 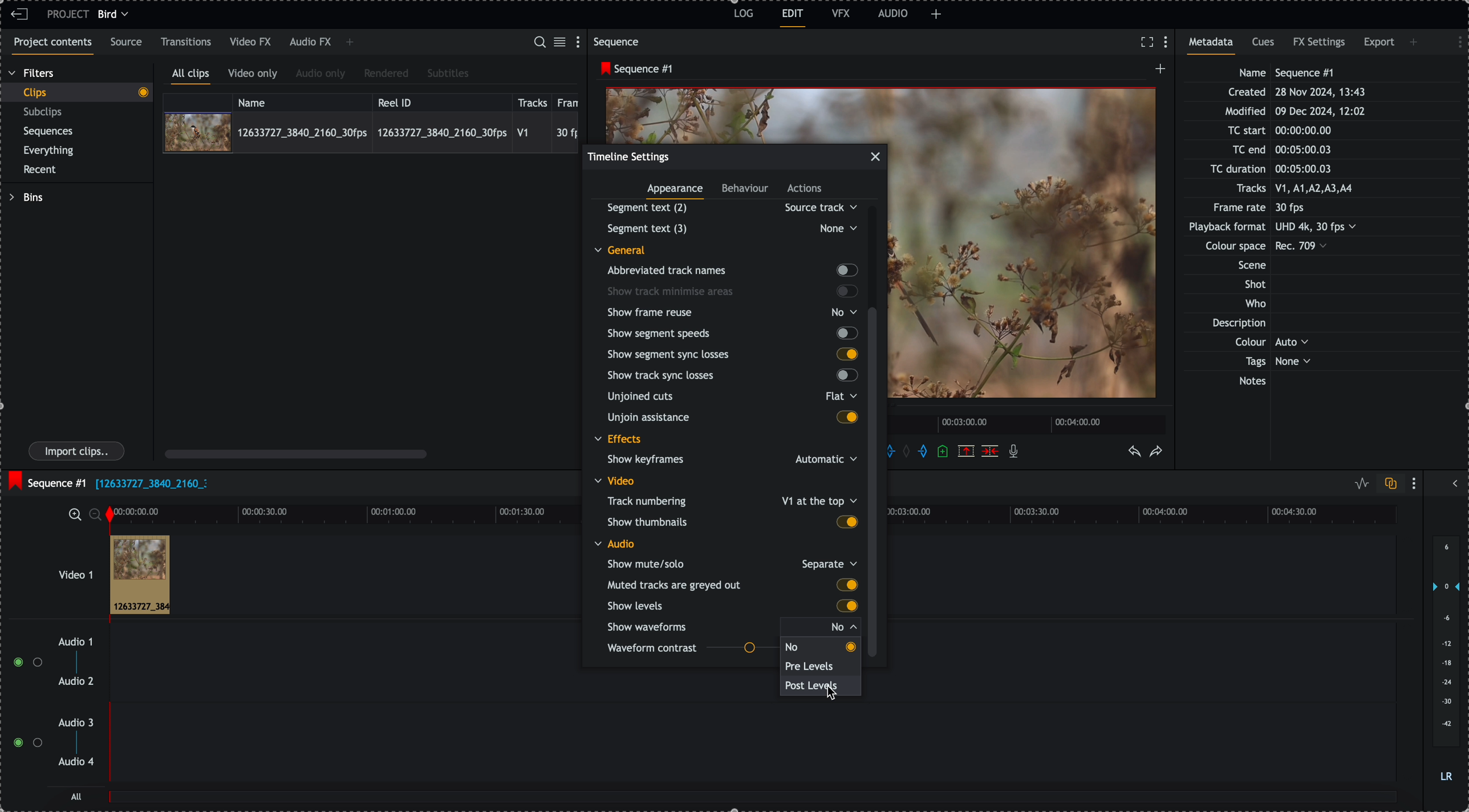 What do you see at coordinates (615, 543) in the screenshot?
I see `audio` at bounding box center [615, 543].